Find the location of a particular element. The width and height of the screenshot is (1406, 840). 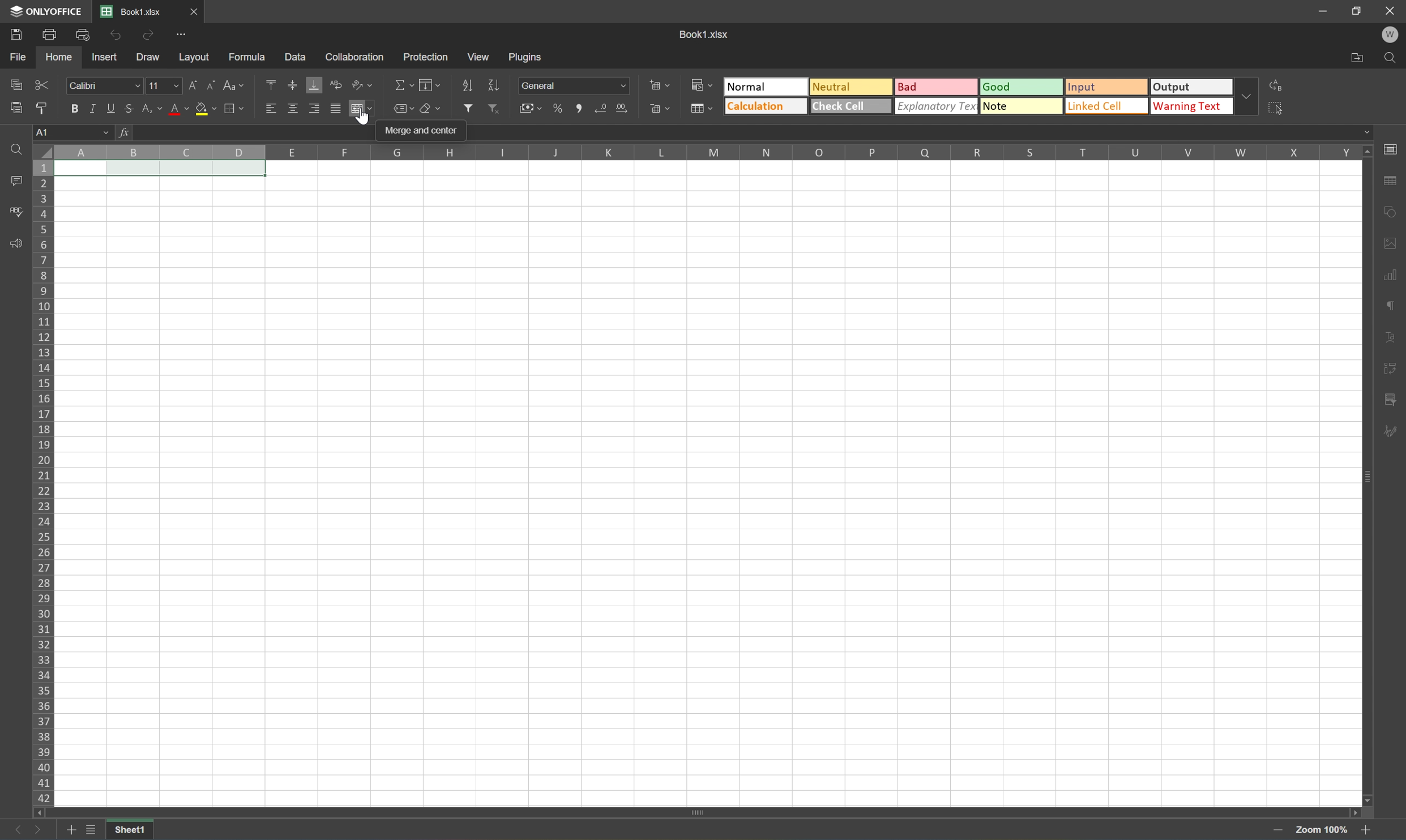

Warning text is located at coordinates (1195, 106).